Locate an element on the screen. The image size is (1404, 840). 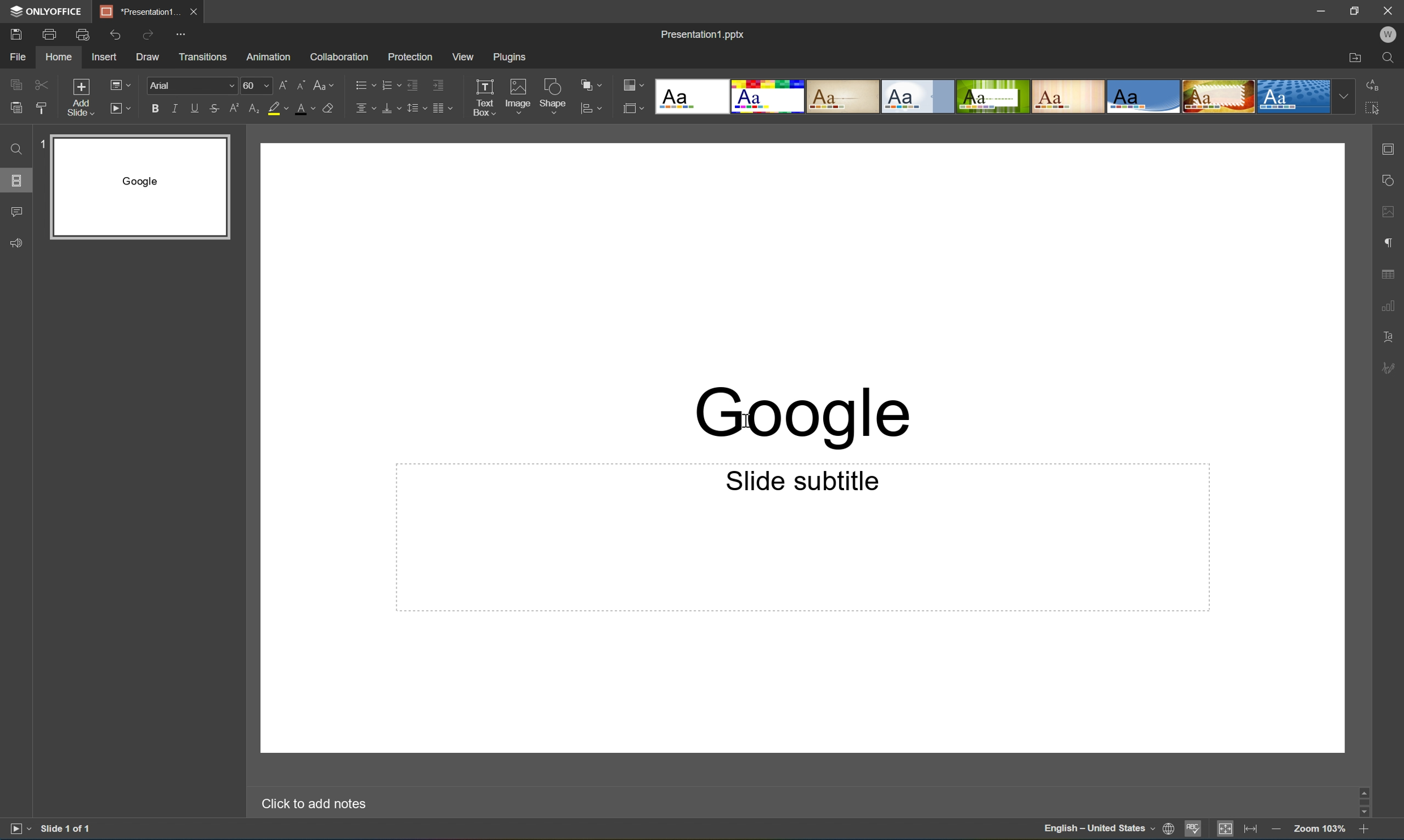
Close is located at coordinates (197, 11).